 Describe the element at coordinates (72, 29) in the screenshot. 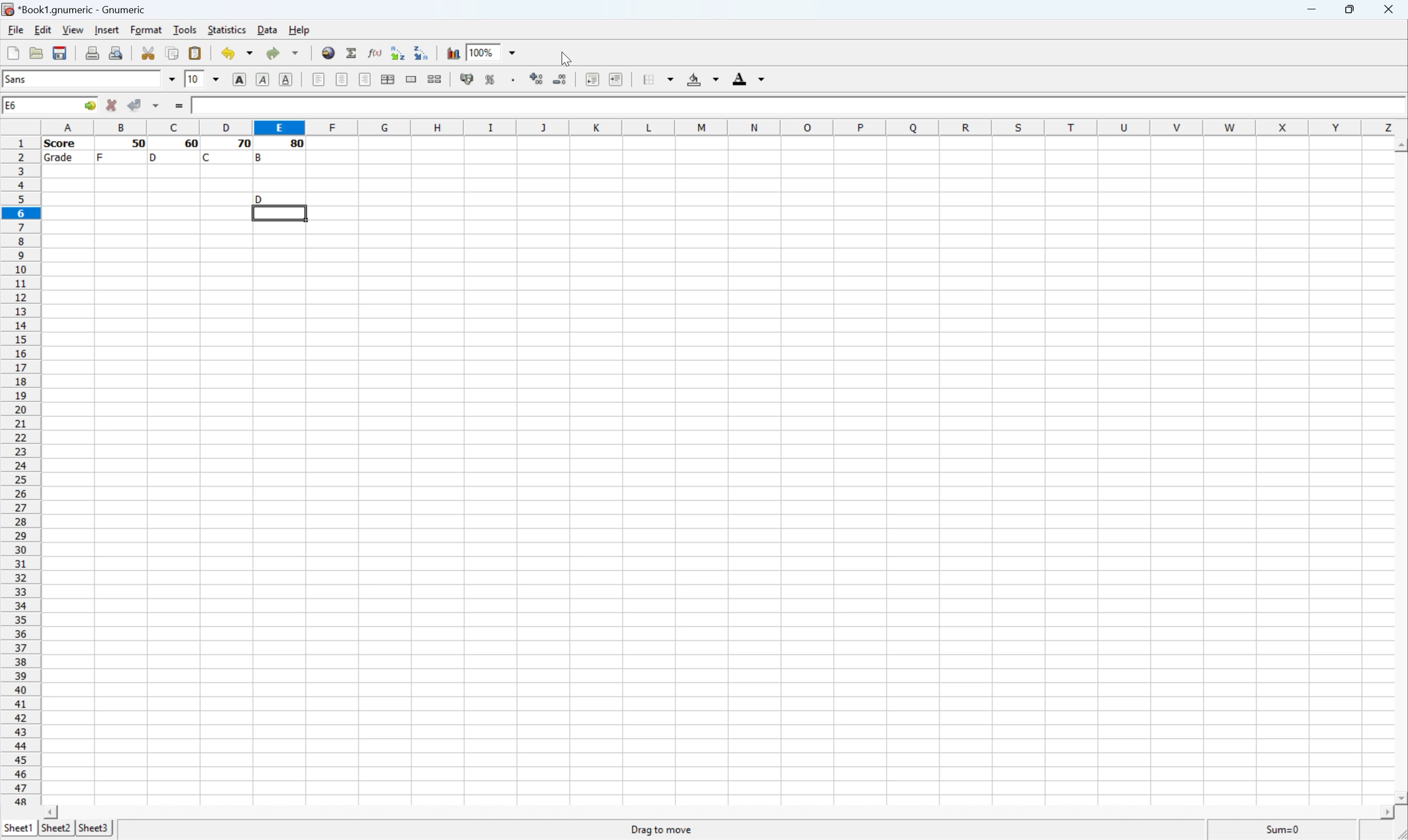

I see `View` at that location.